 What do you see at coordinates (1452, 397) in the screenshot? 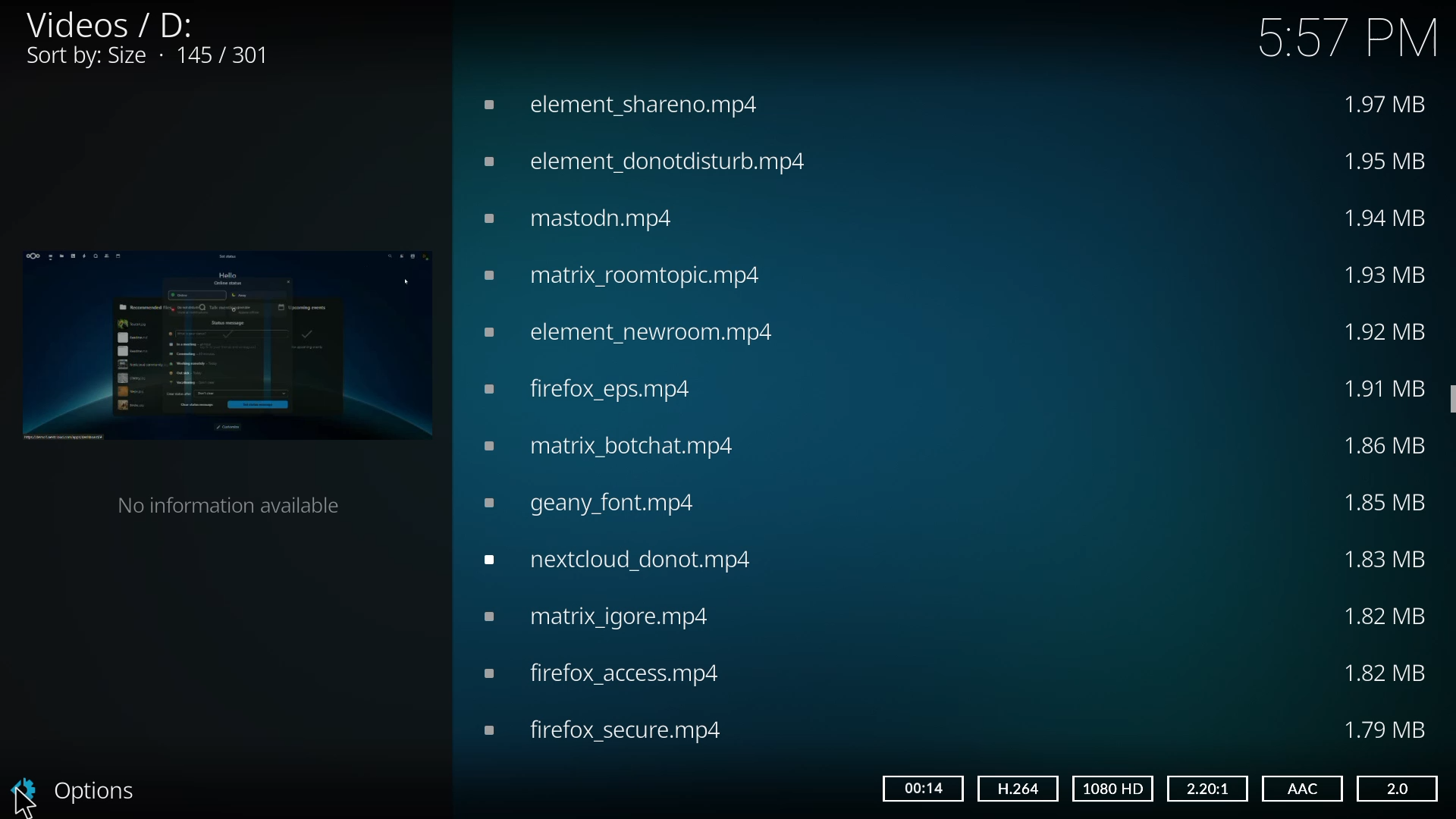
I see `scroll bar` at bounding box center [1452, 397].